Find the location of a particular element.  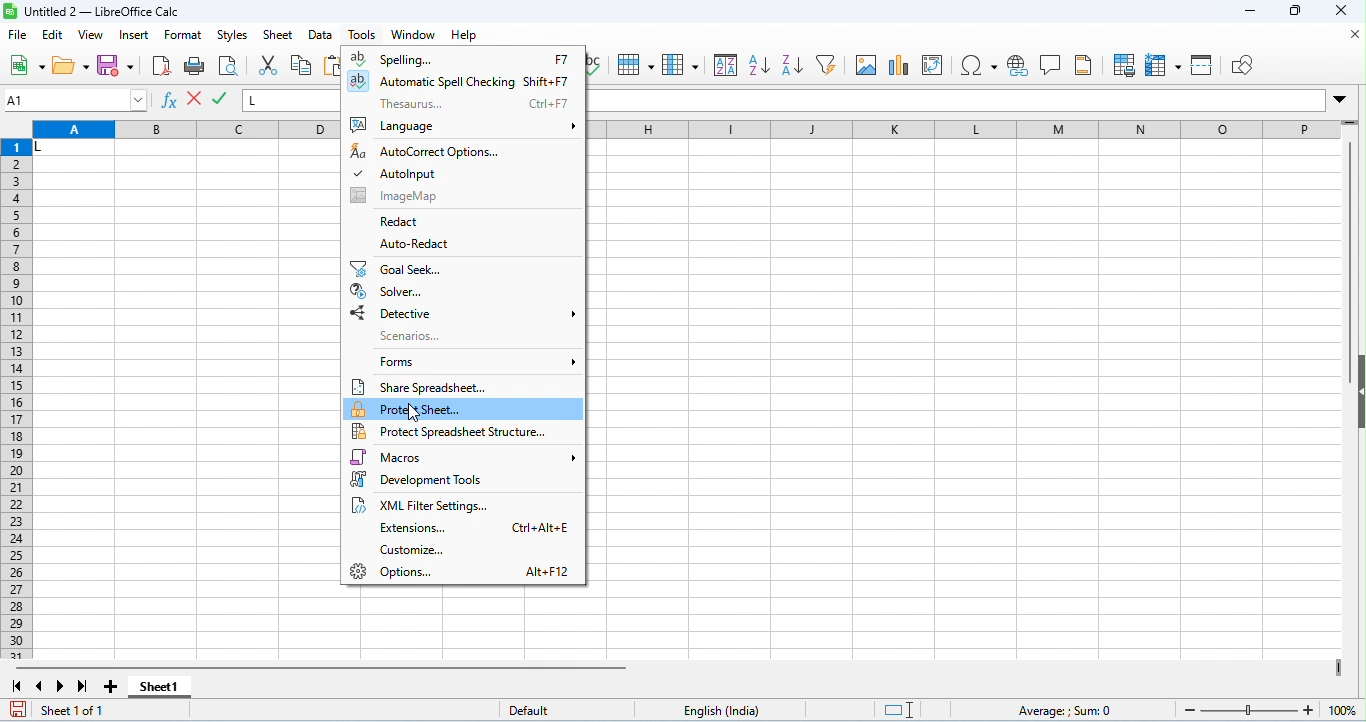

column is located at coordinates (680, 64).